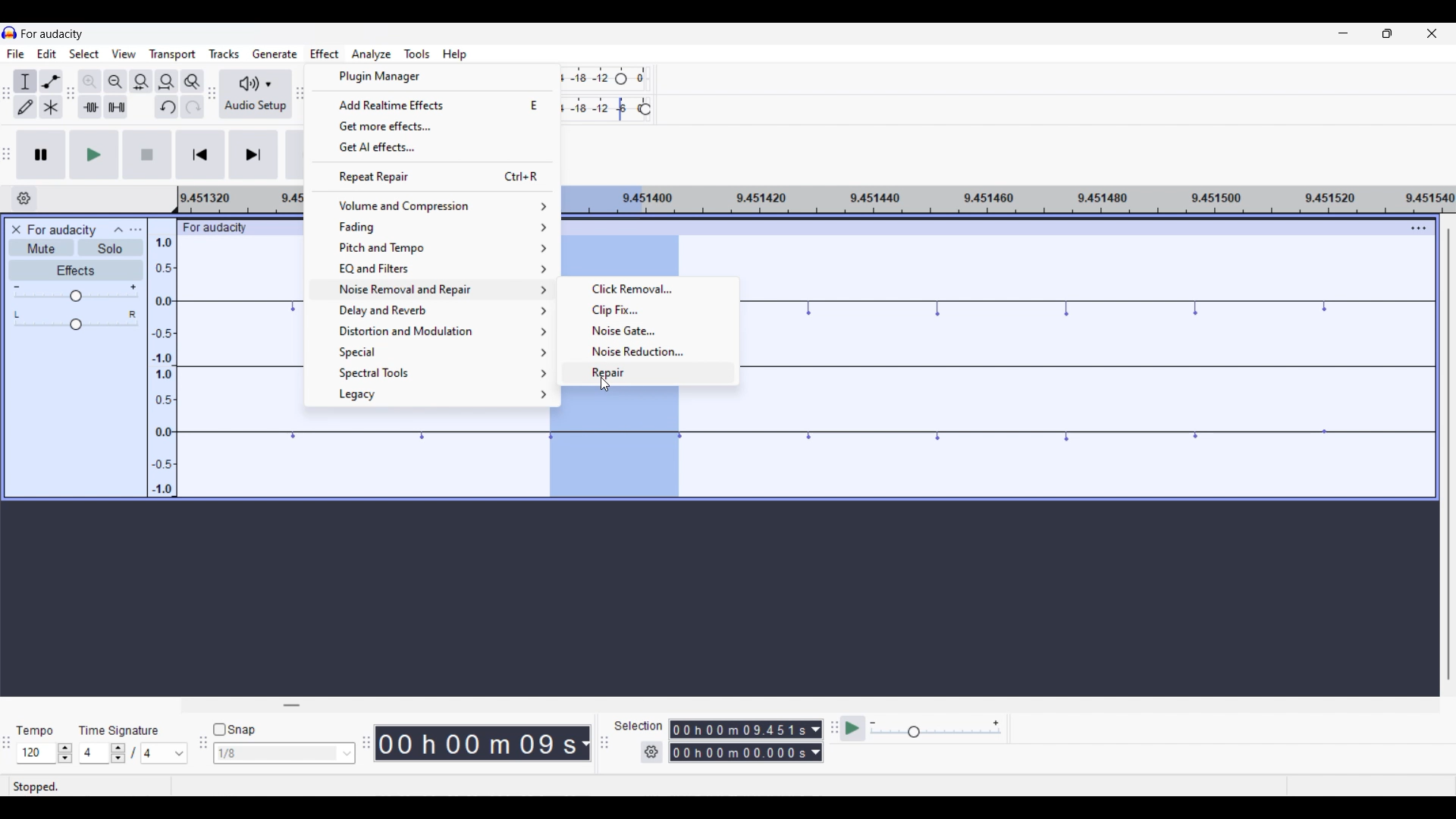 The image size is (1456, 819). What do you see at coordinates (417, 54) in the screenshot?
I see `Tools menu` at bounding box center [417, 54].